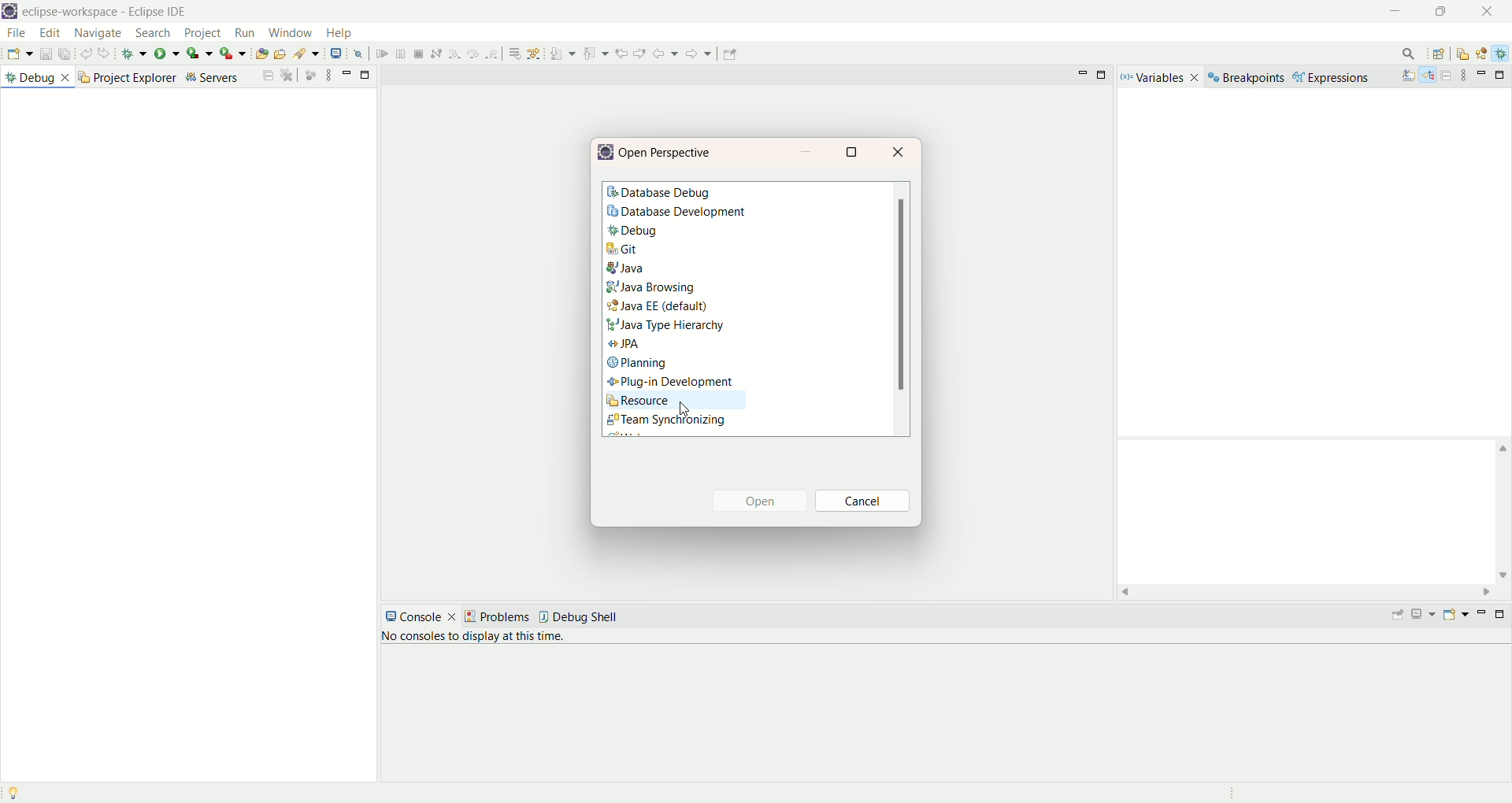  Describe the element at coordinates (766, 501) in the screenshot. I see `open` at that location.